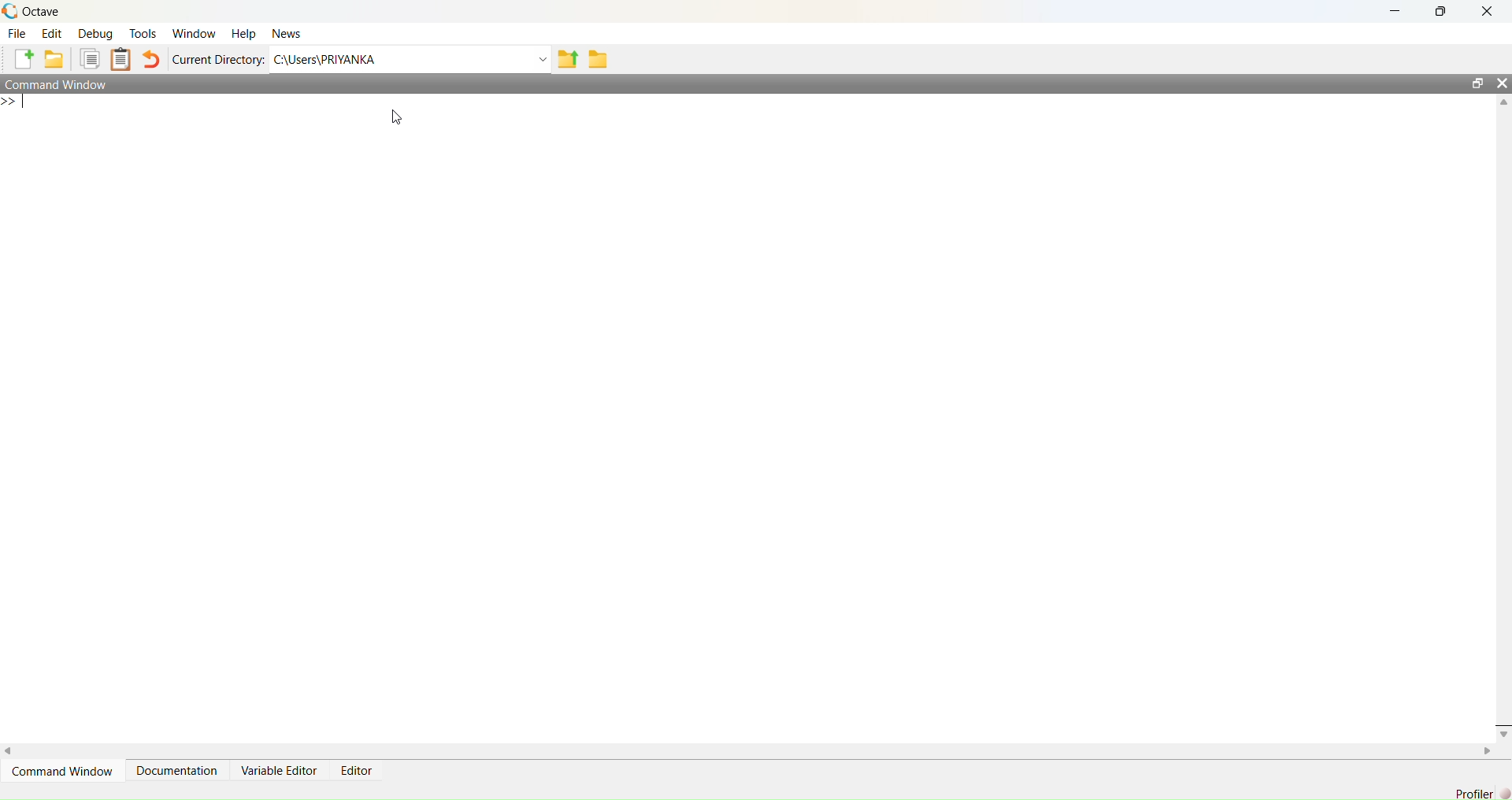 The height and width of the screenshot is (800, 1512). I want to click on News, so click(290, 35).